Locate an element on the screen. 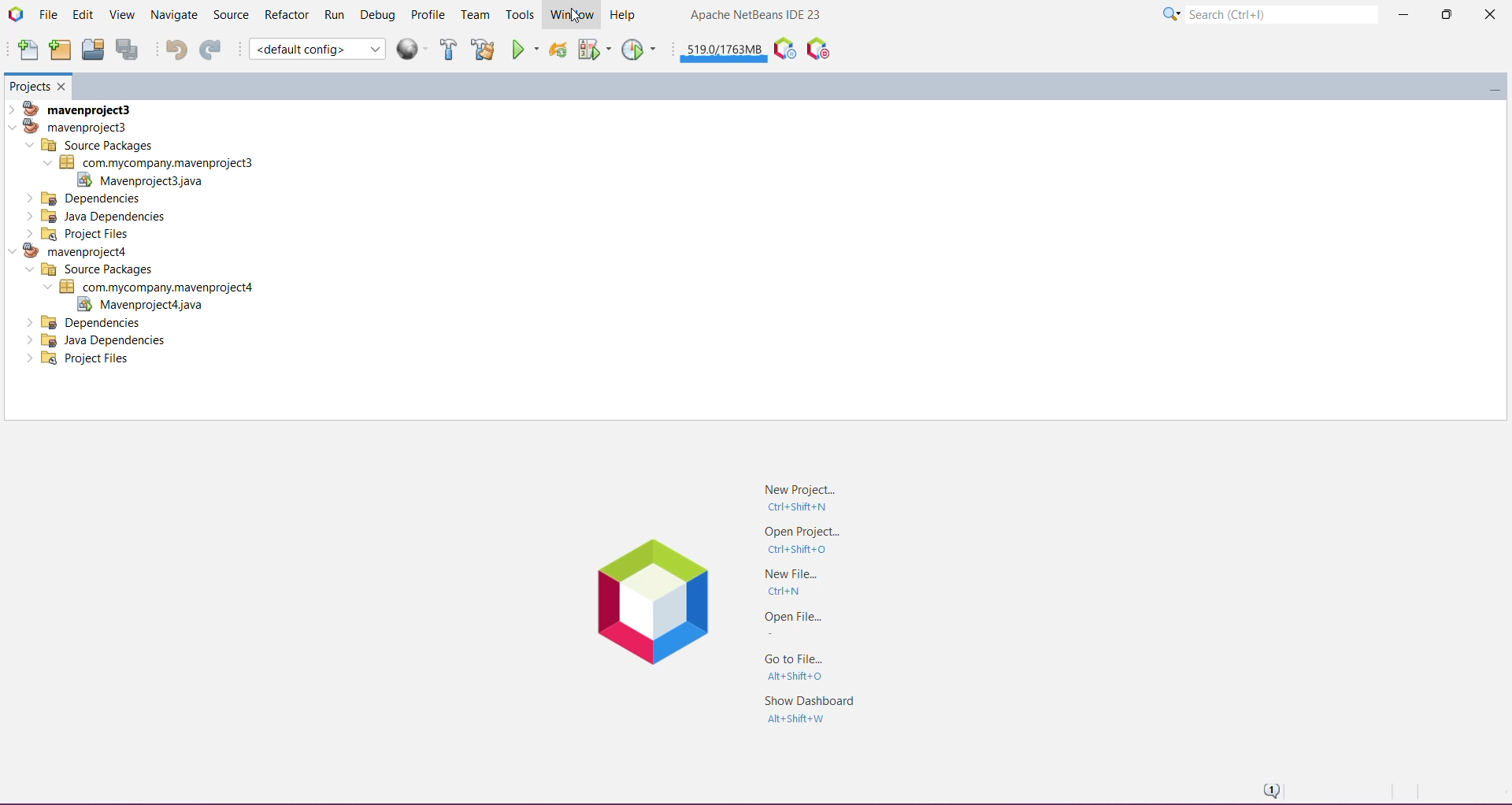 Image resolution: width=1512 pixels, height=805 pixels. logo is located at coordinates (653, 599).